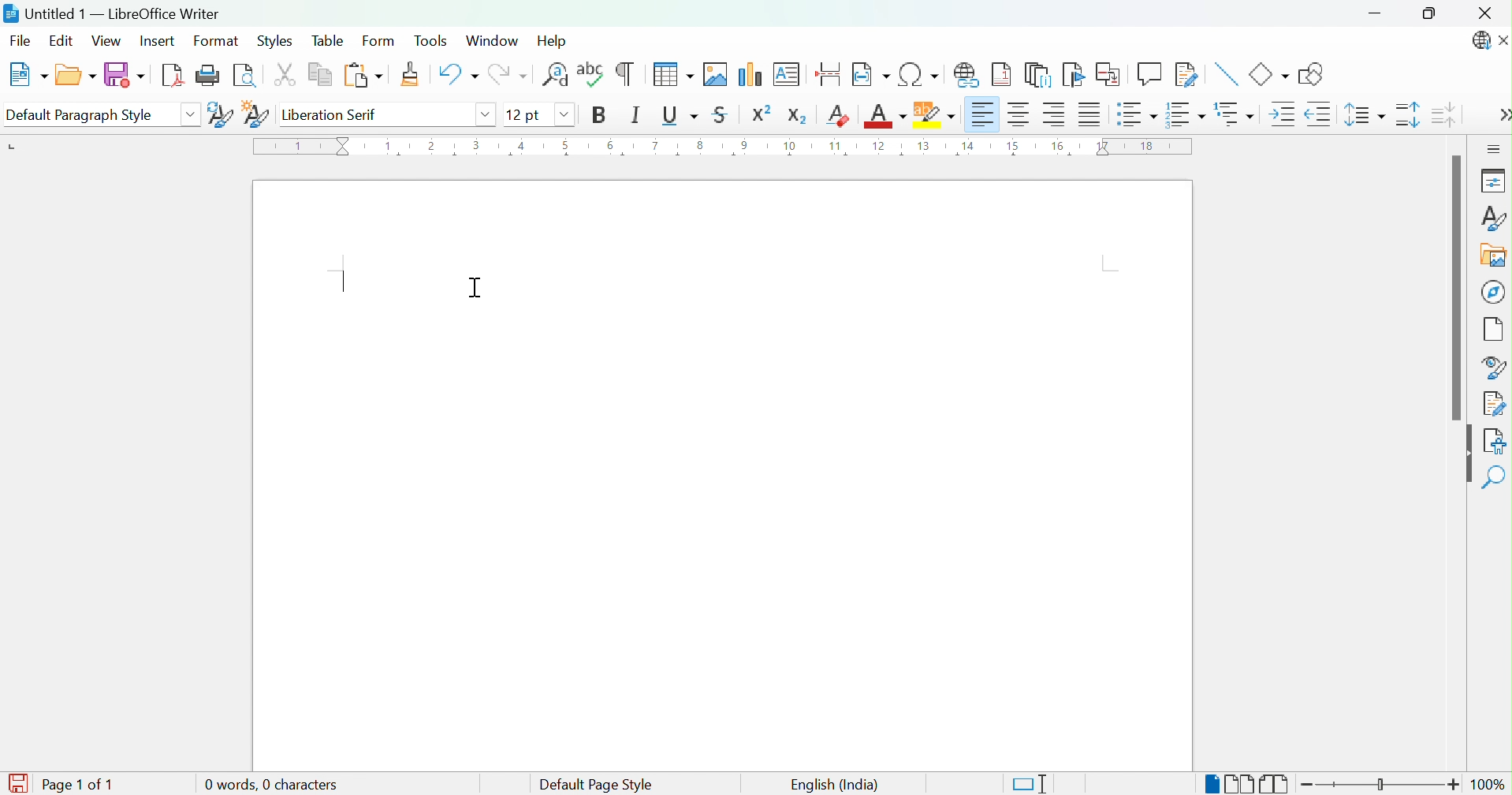 The height and width of the screenshot is (795, 1512). What do you see at coordinates (328, 40) in the screenshot?
I see `Table` at bounding box center [328, 40].